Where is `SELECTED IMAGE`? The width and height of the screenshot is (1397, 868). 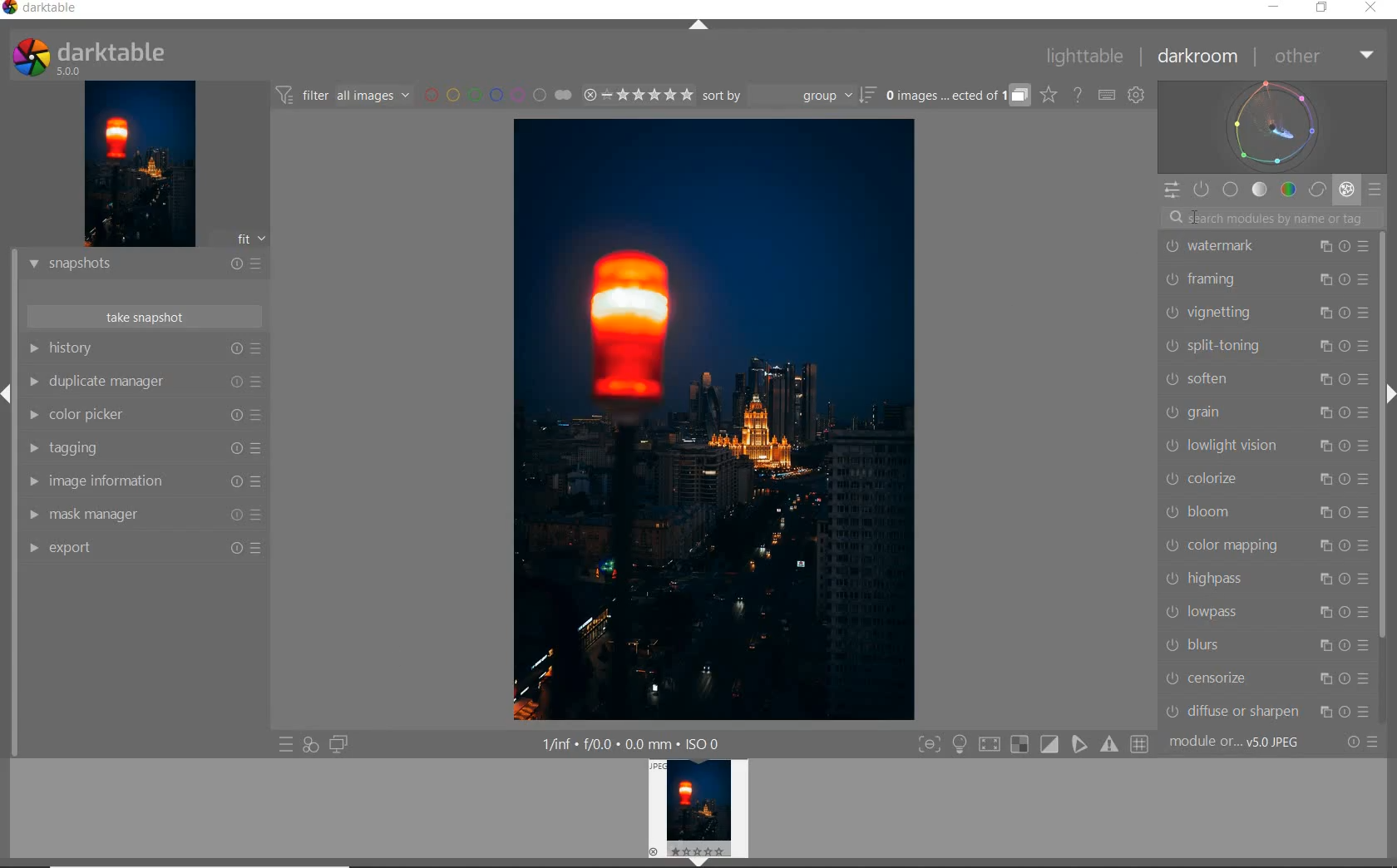
SELECTED IMAGE is located at coordinates (713, 417).